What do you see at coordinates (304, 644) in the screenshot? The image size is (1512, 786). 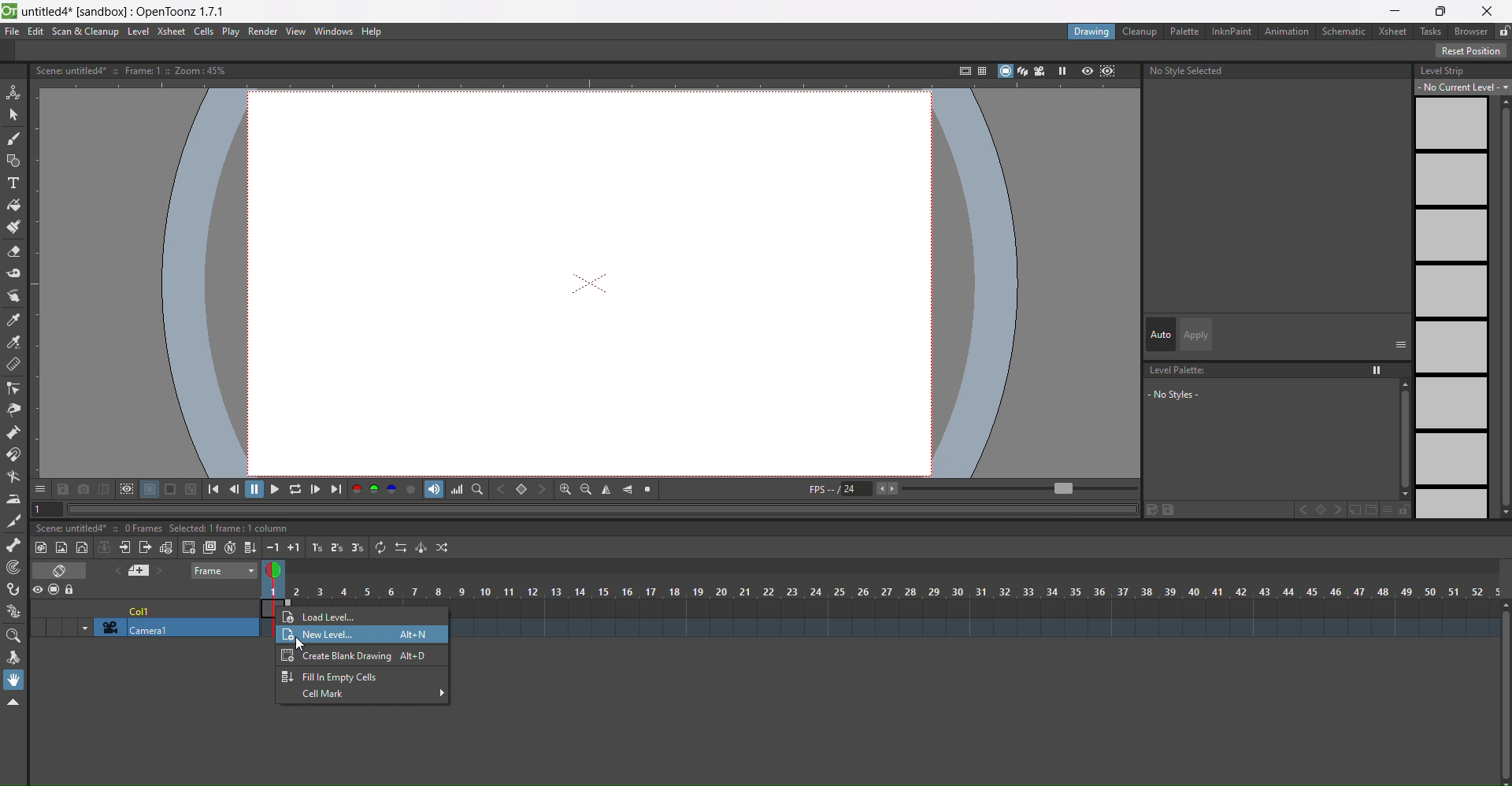 I see `cursor` at bounding box center [304, 644].